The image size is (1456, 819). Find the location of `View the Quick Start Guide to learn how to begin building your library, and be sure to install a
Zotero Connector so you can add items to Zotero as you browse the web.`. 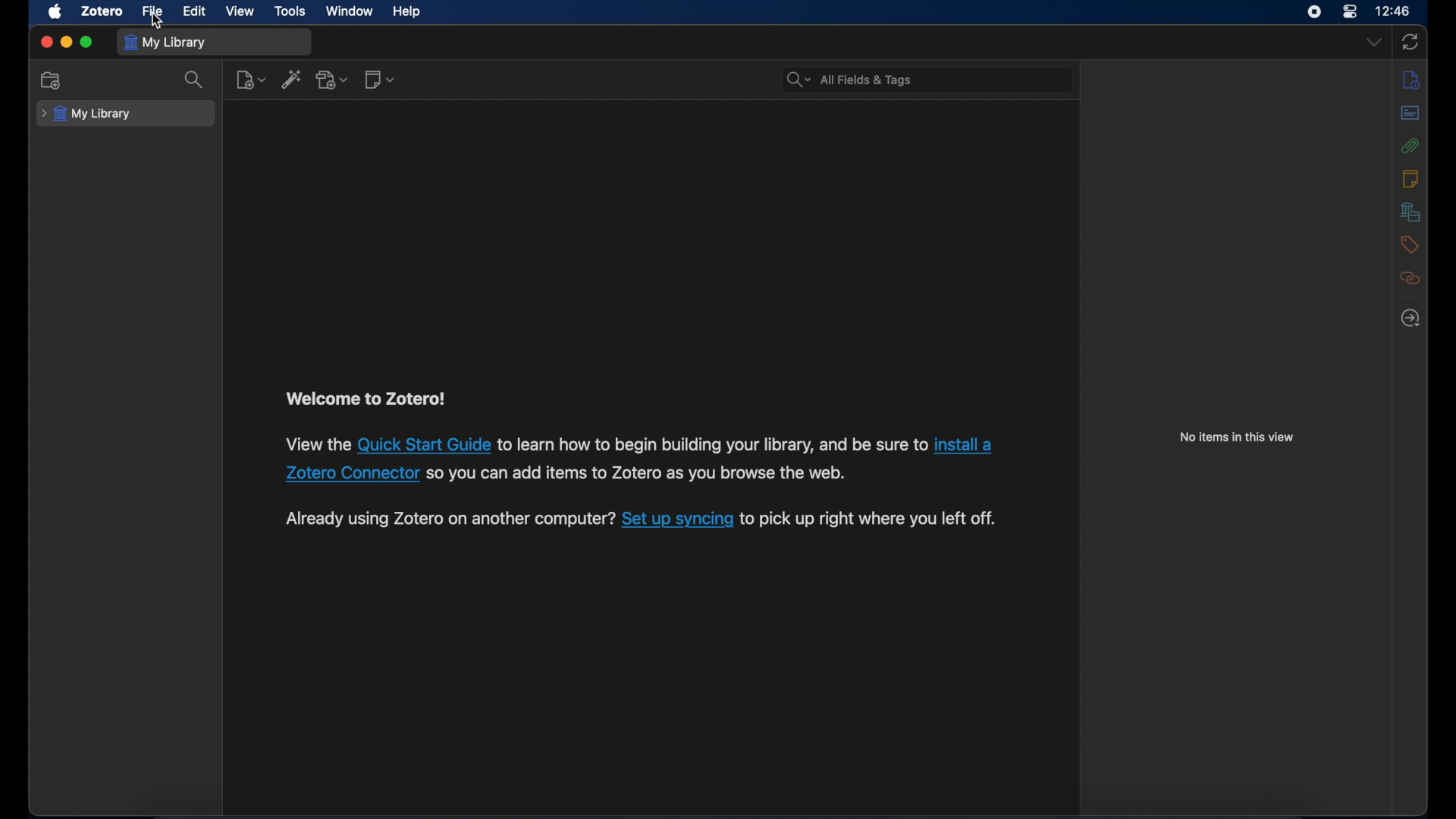

View the Quick Start Guide to learn how to begin building your library, and be sure to install a
Zotero Connector so you can add items to Zotero as you browse the web. is located at coordinates (652, 458).